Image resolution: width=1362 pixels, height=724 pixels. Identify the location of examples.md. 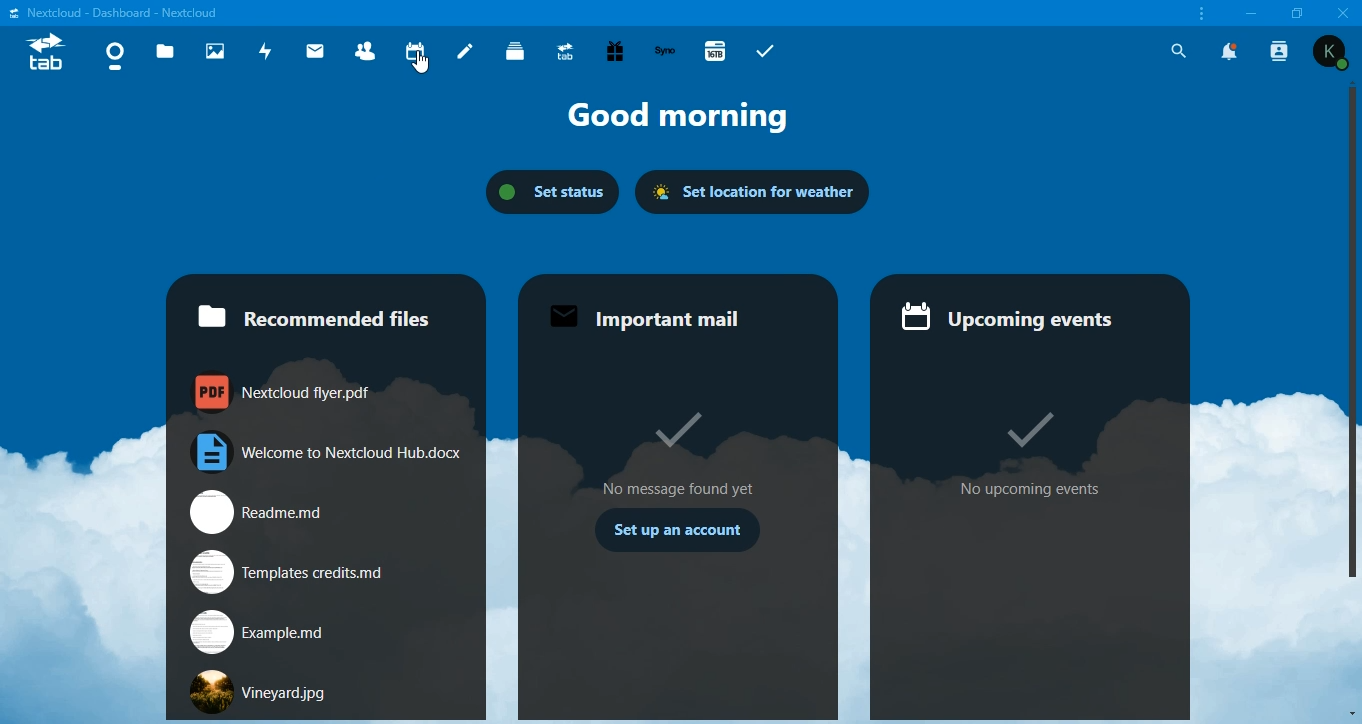
(259, 631).